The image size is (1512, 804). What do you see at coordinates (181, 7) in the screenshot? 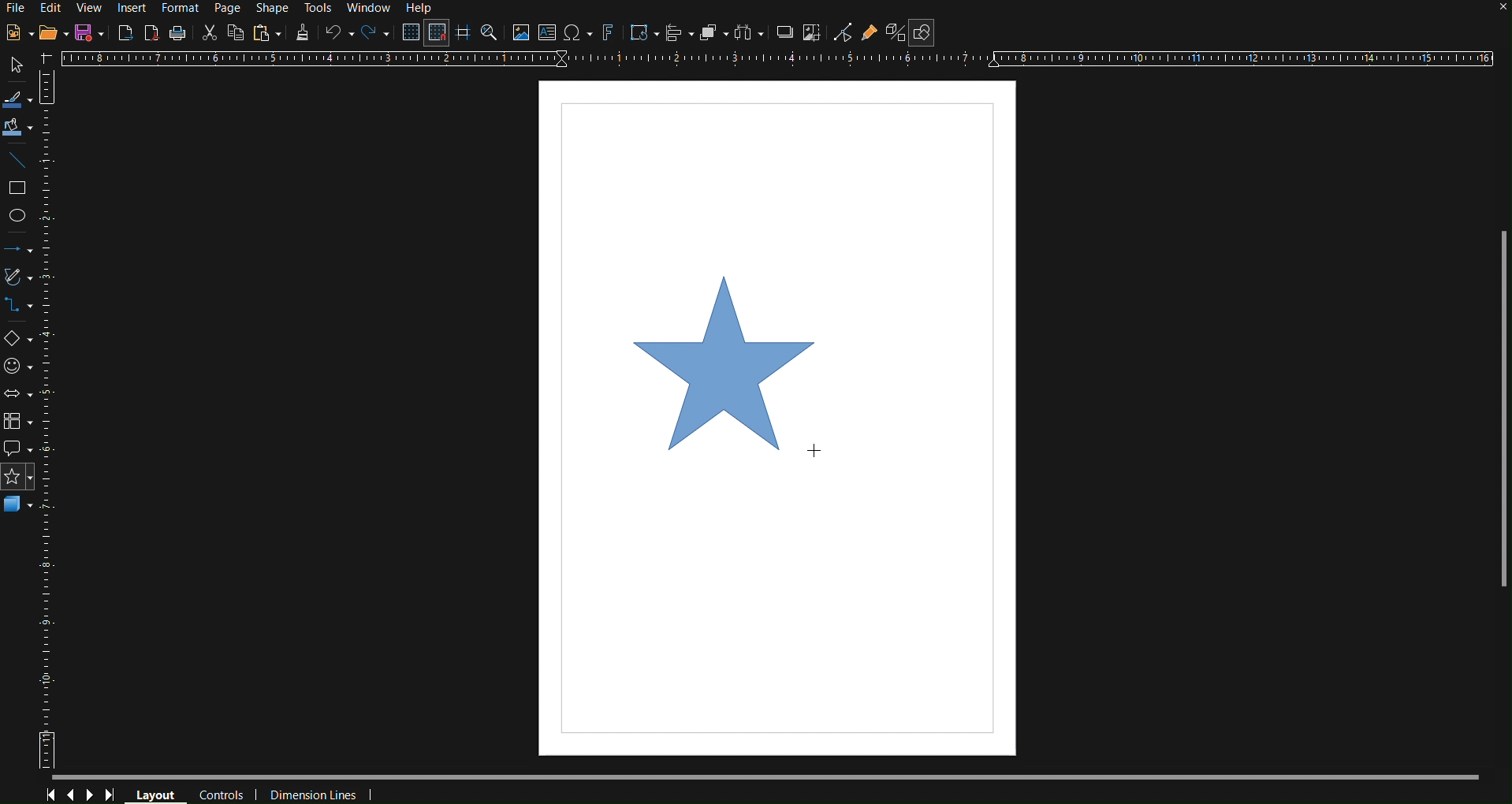
I see `Format` at bounding box center [181, 7].